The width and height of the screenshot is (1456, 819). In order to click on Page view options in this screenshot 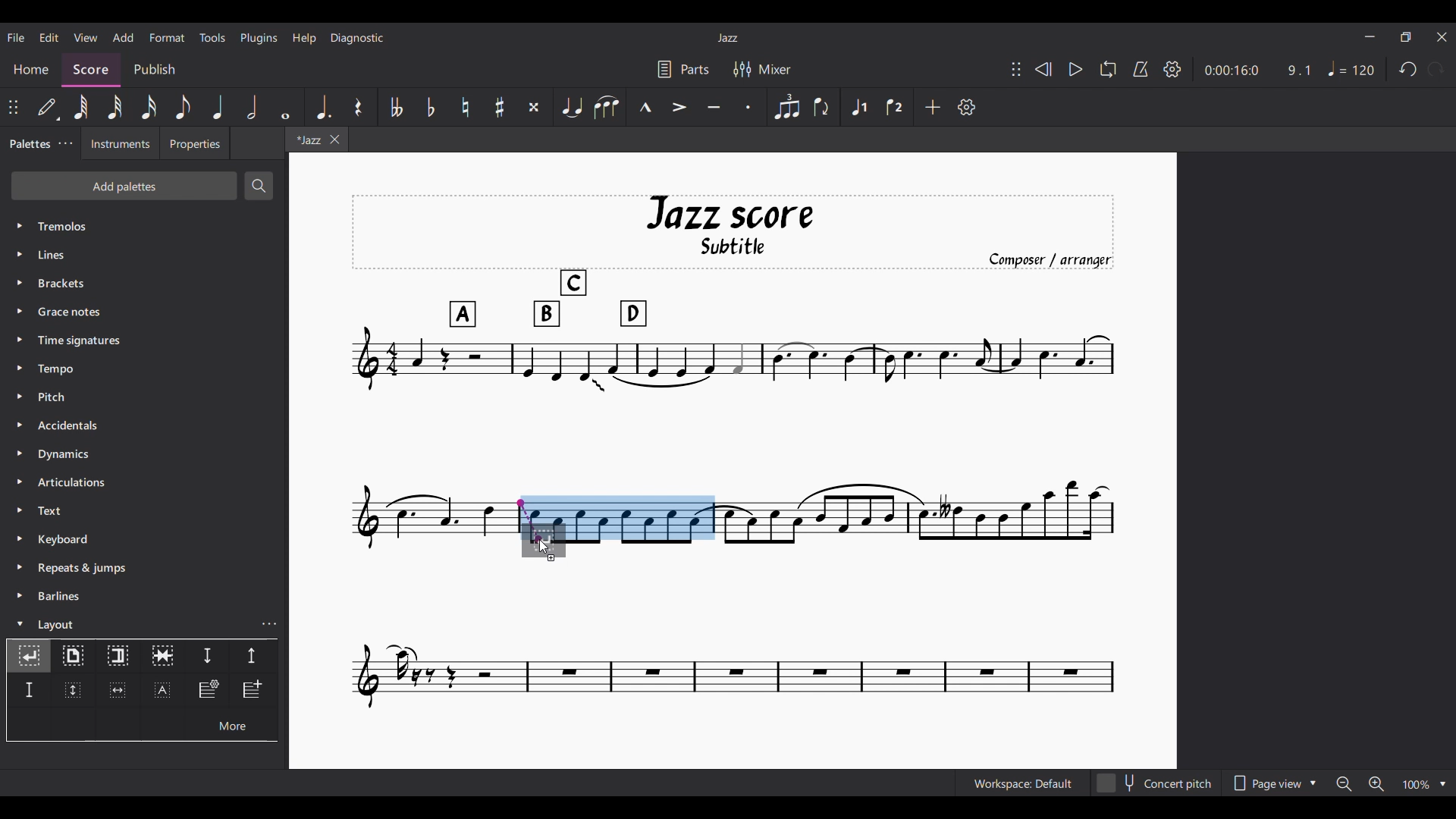, I will do `click(1274, 783)`.